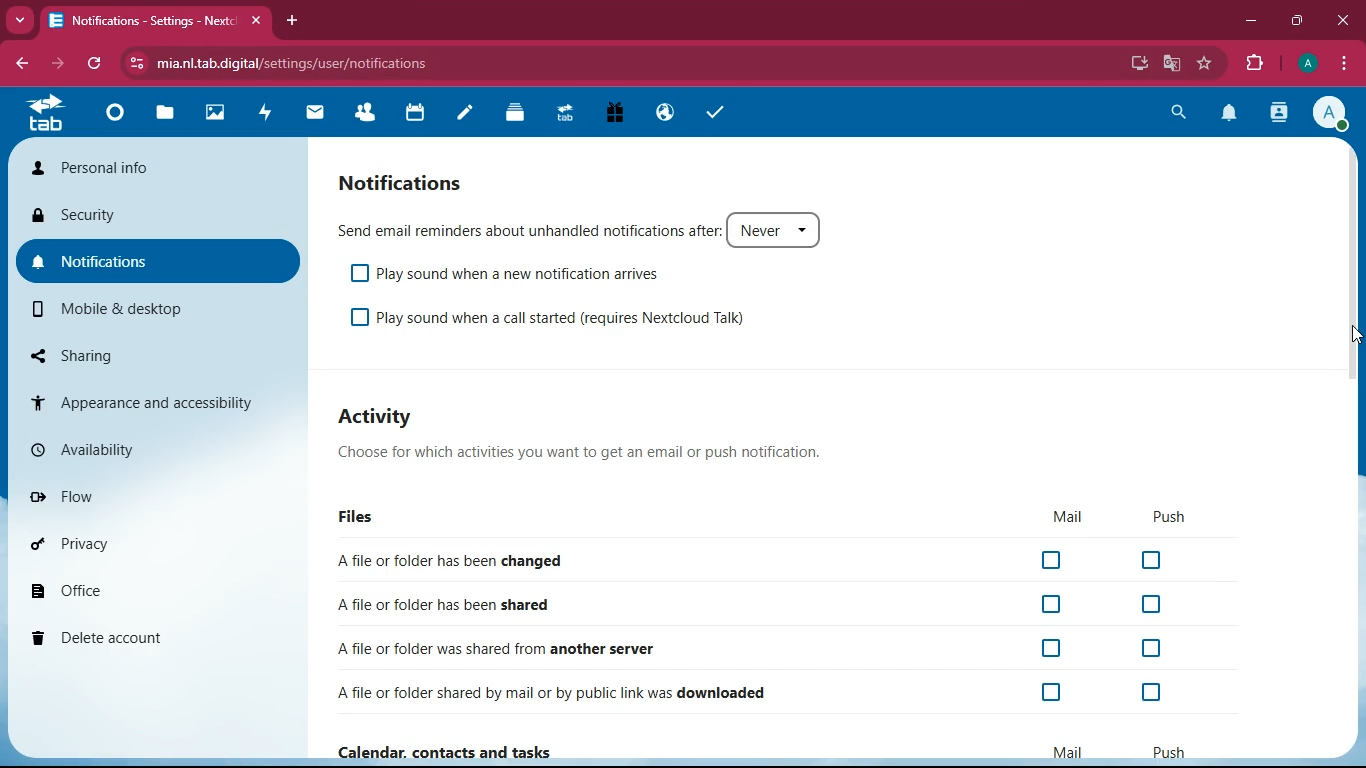 The width and height of the screenshot is (1366, 768). Describe the element at coordinates (160, 310) in the screenshot. I see `mobile & desktop` at that location.